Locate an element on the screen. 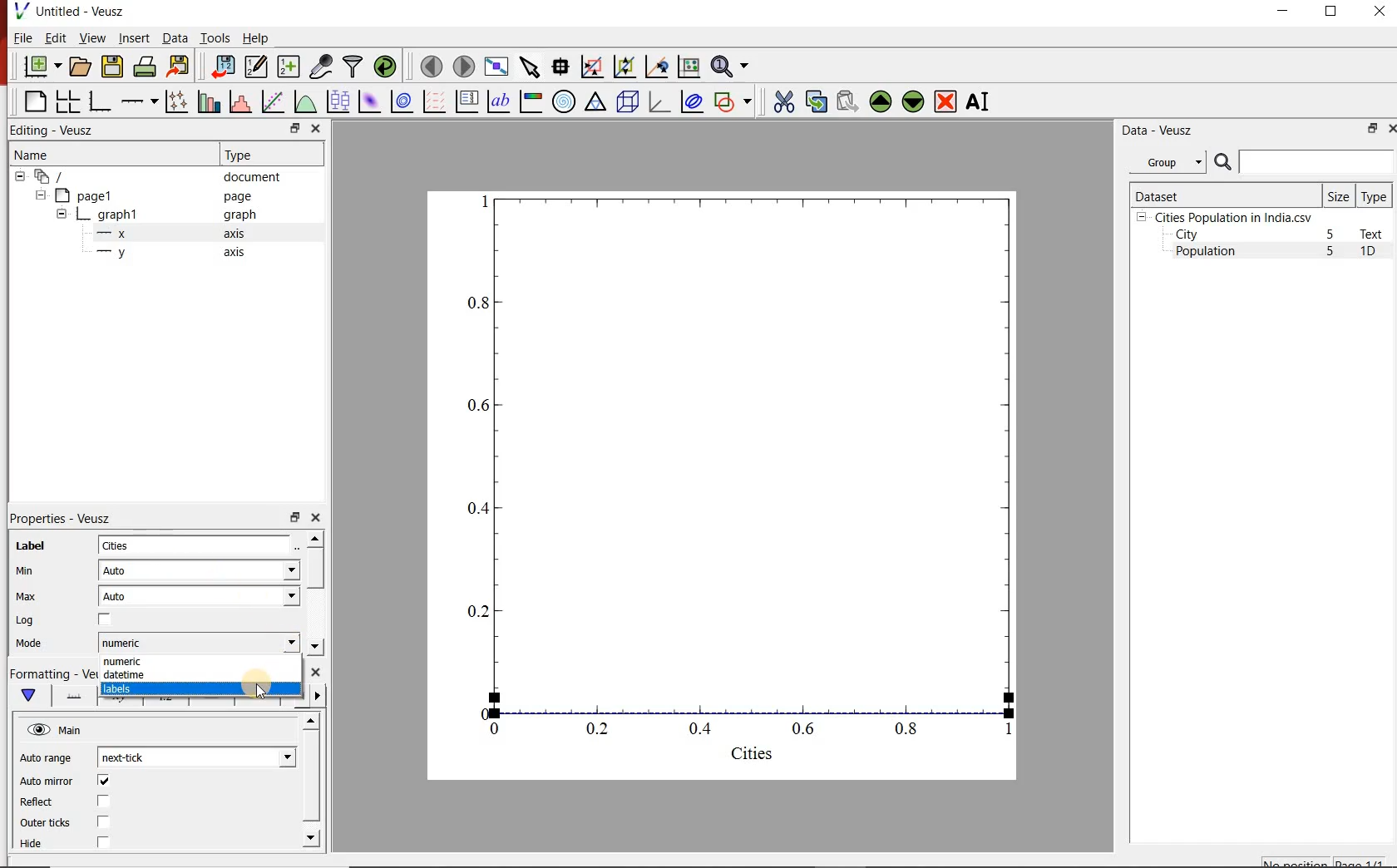 Image resolution: width=1397 pixels, height=868 pixels. import data into Veusz is located at coordinates (222, 66).